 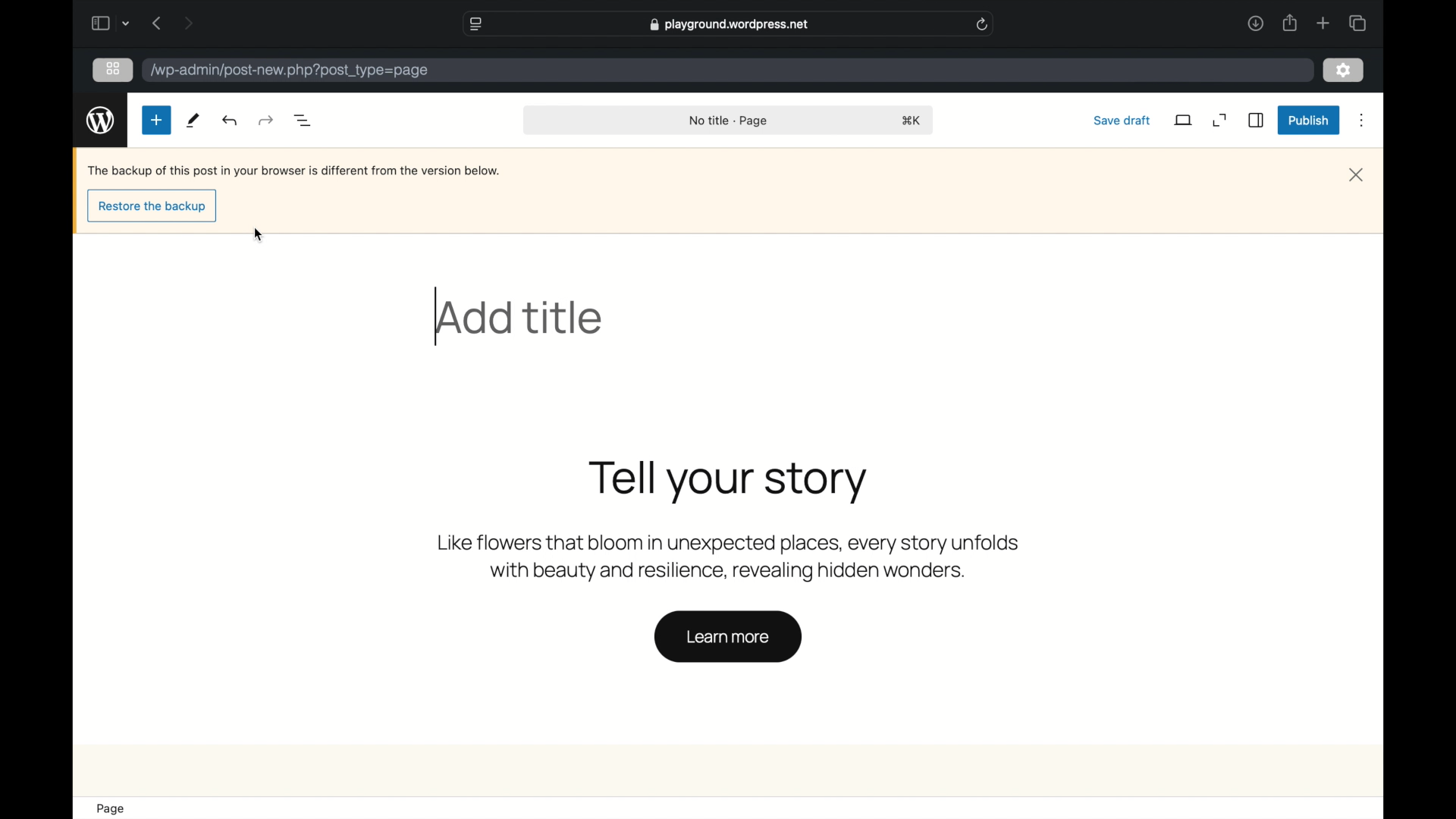 I want to click on dropdown, so click(x=127, y=23).